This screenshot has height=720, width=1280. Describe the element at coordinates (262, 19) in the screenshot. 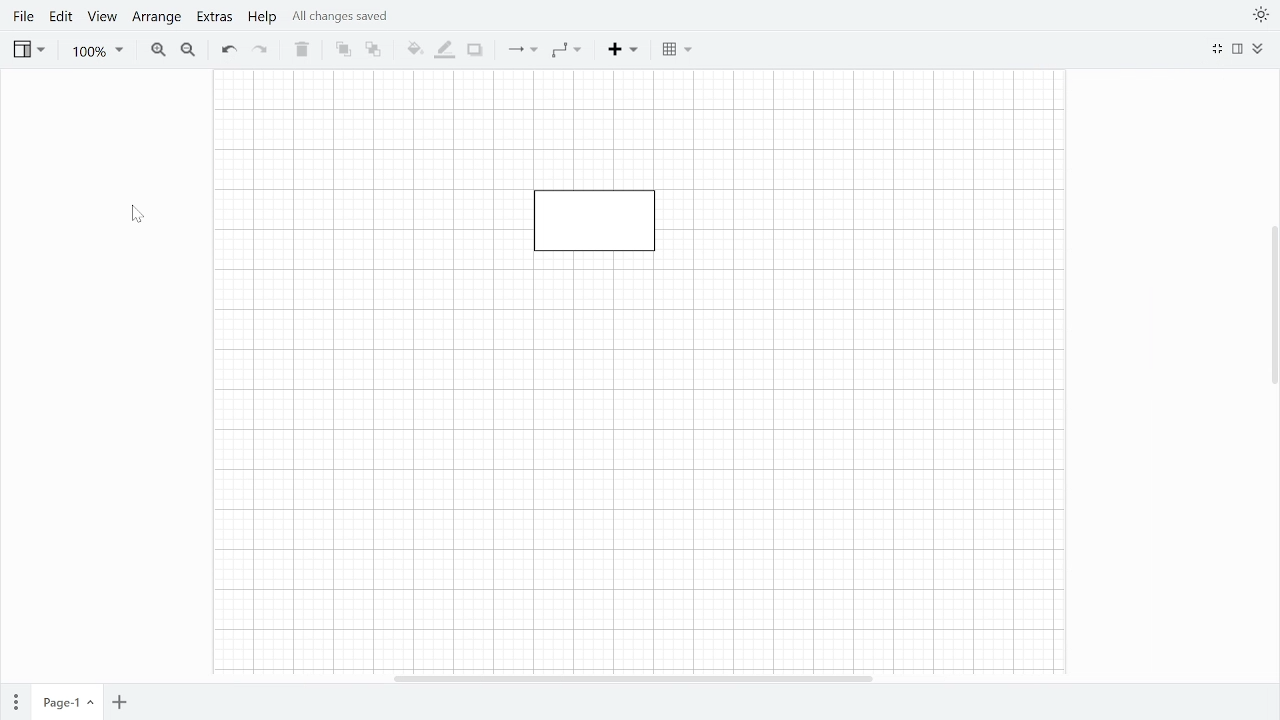

I see `Help` at that location.